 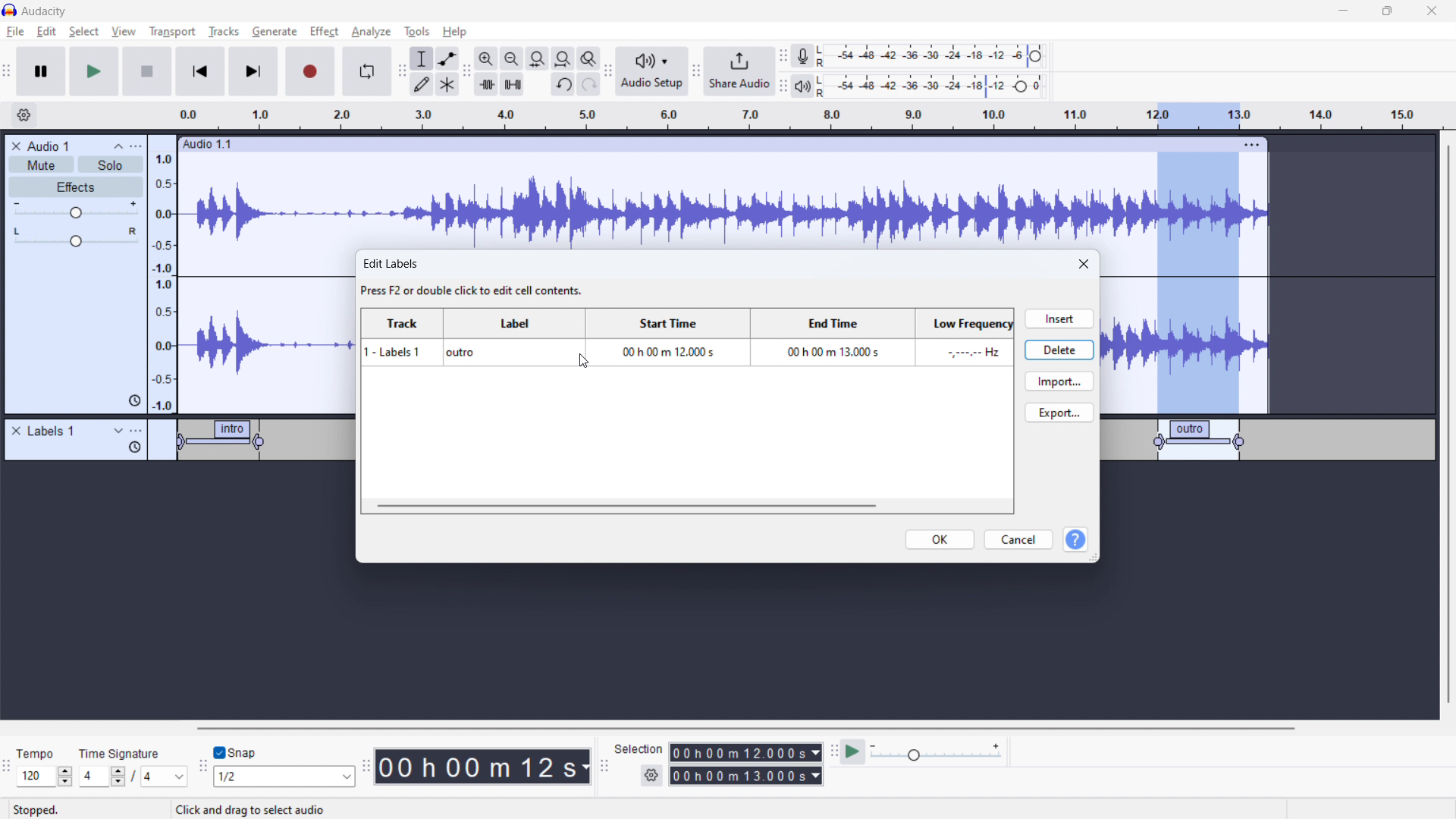 I want to click on recording meter, so click(x=803, y=56).